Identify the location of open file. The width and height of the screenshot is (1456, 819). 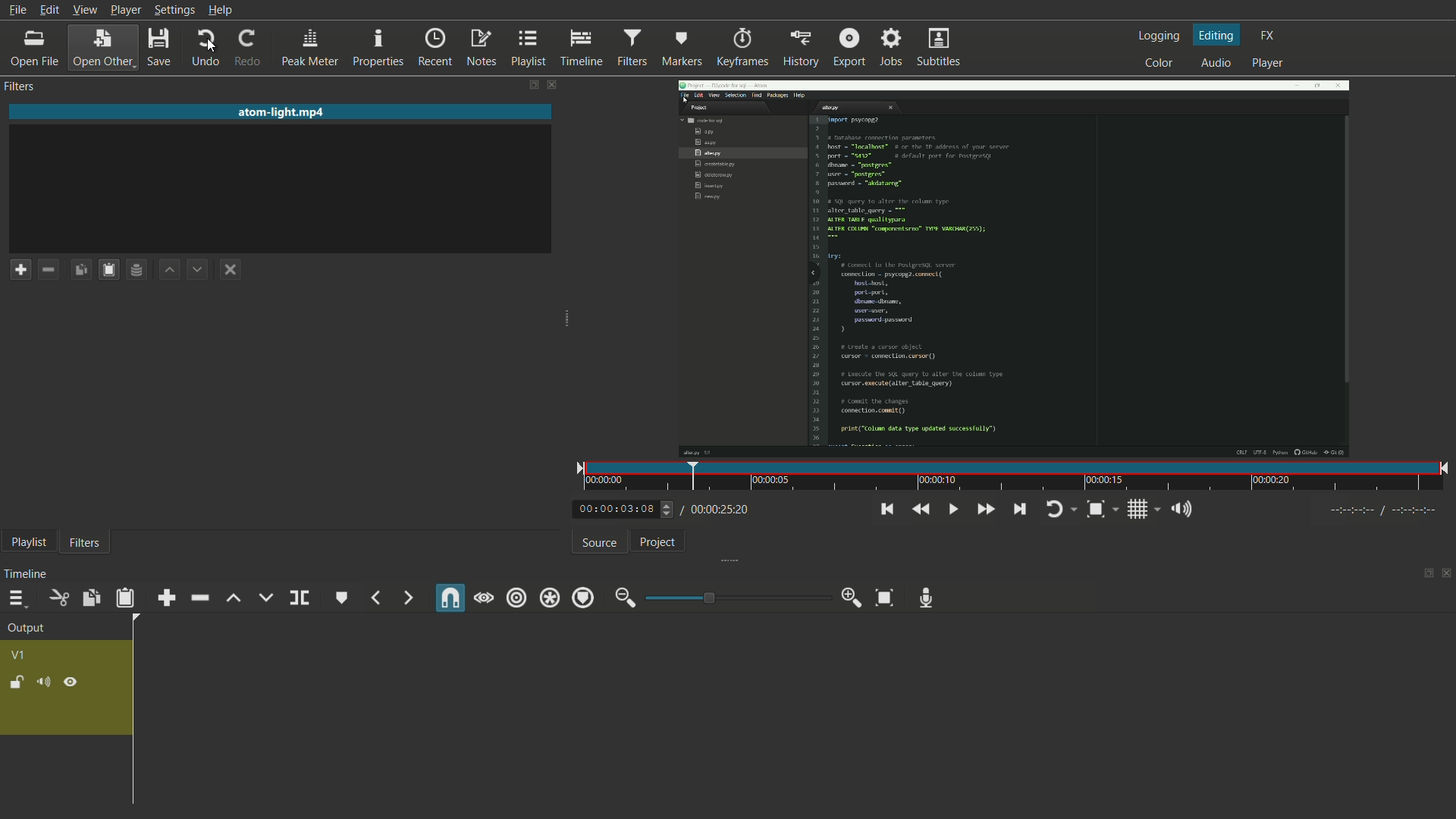
(33, 46).